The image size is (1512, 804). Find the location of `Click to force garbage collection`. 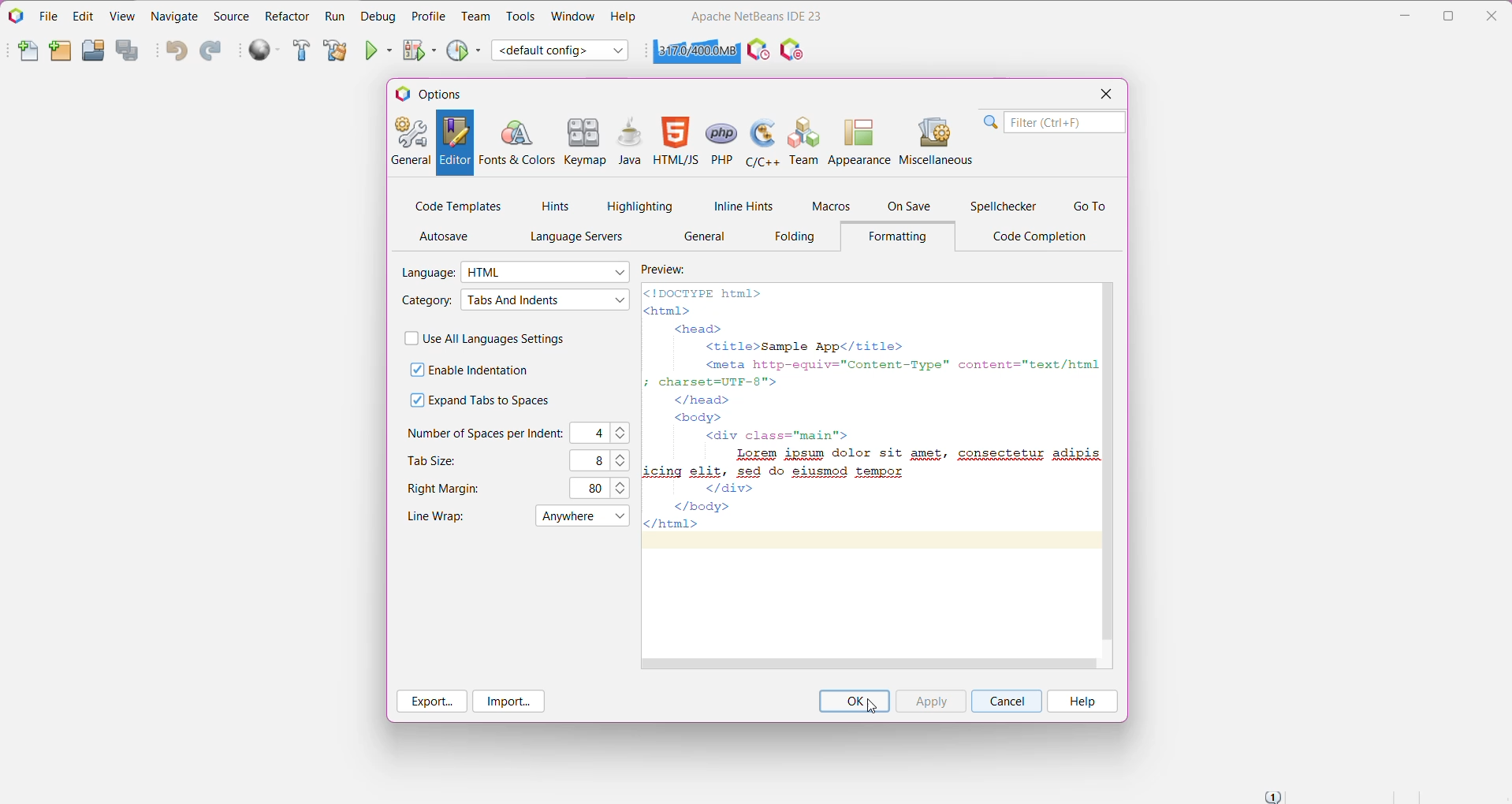

Click to force garbage collection is located at coordinates (696, 50).